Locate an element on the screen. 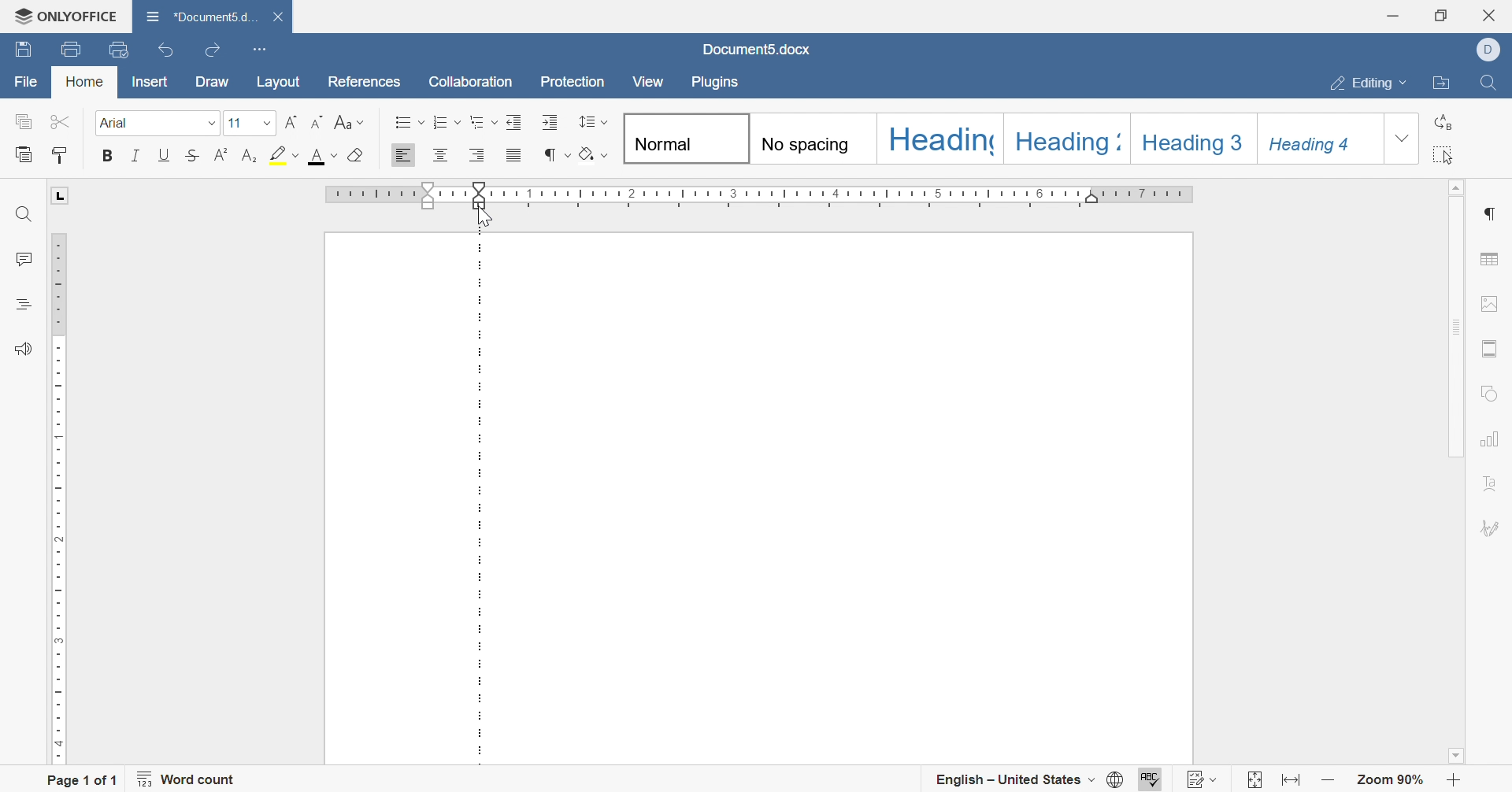 The width and height of the screenshot is (1512, 792). slider is located at coordinates (480, 190).